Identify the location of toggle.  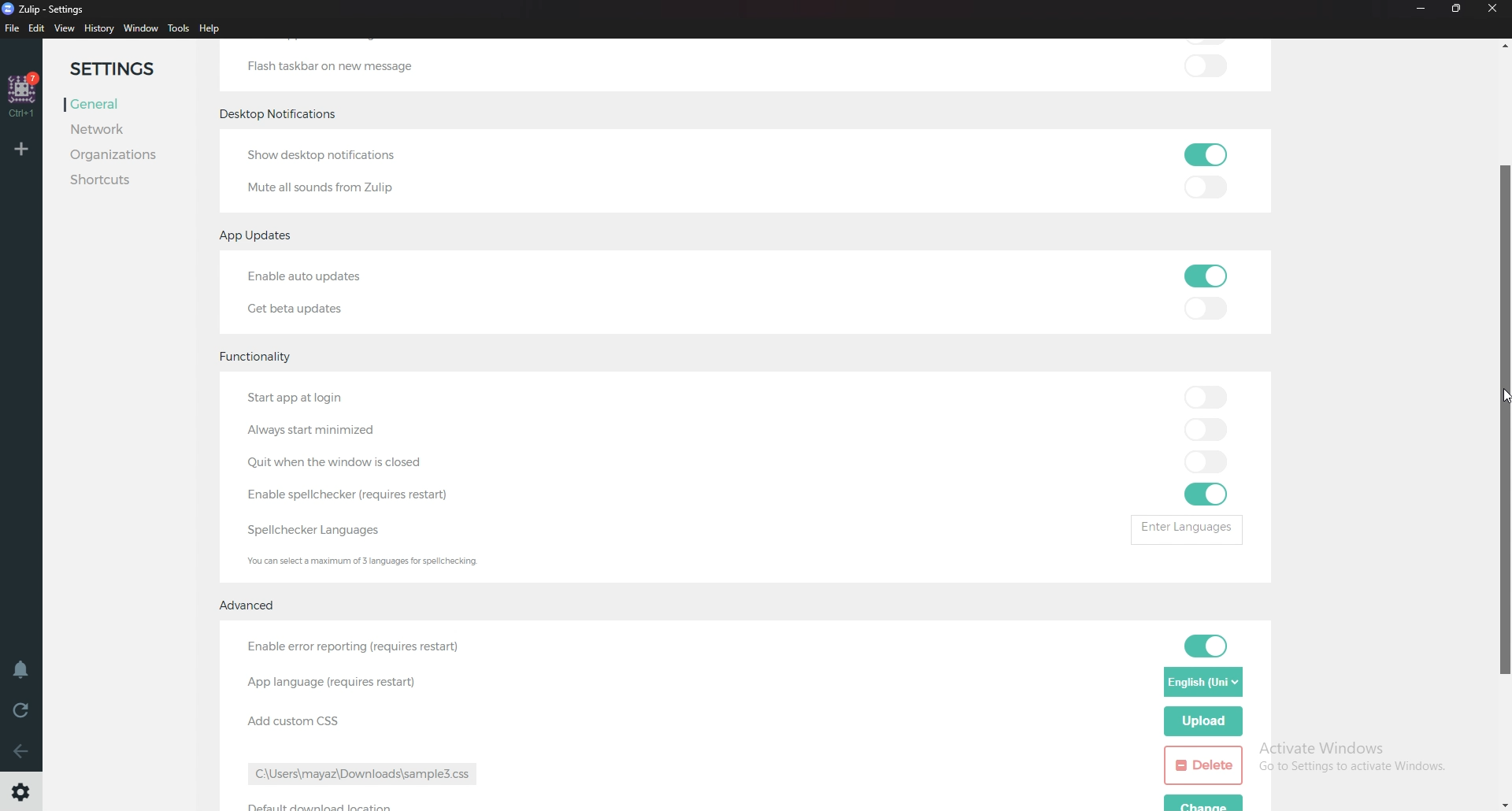
(1208, 495).